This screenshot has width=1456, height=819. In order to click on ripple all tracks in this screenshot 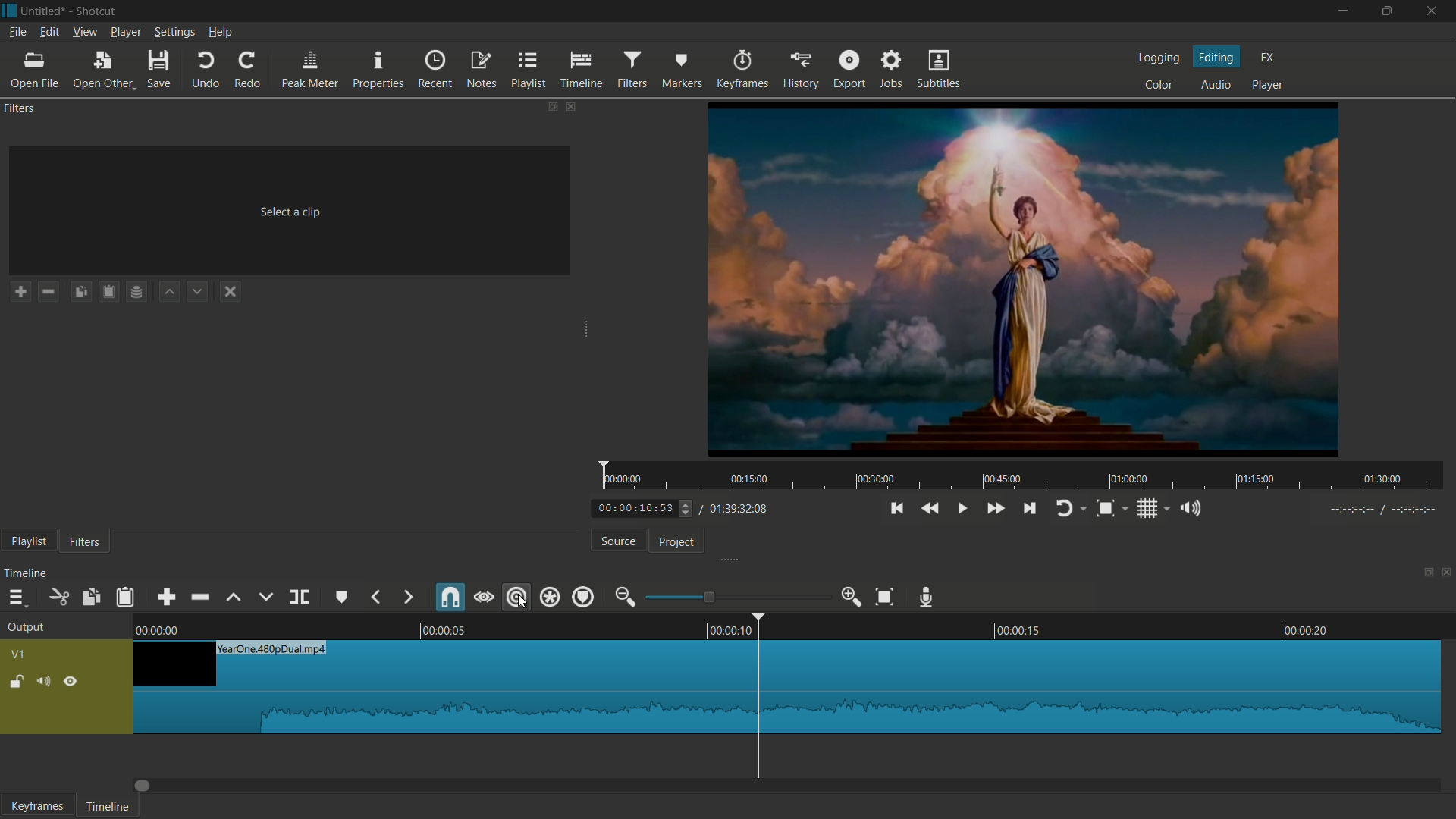, I will do `click(548, 597)`.